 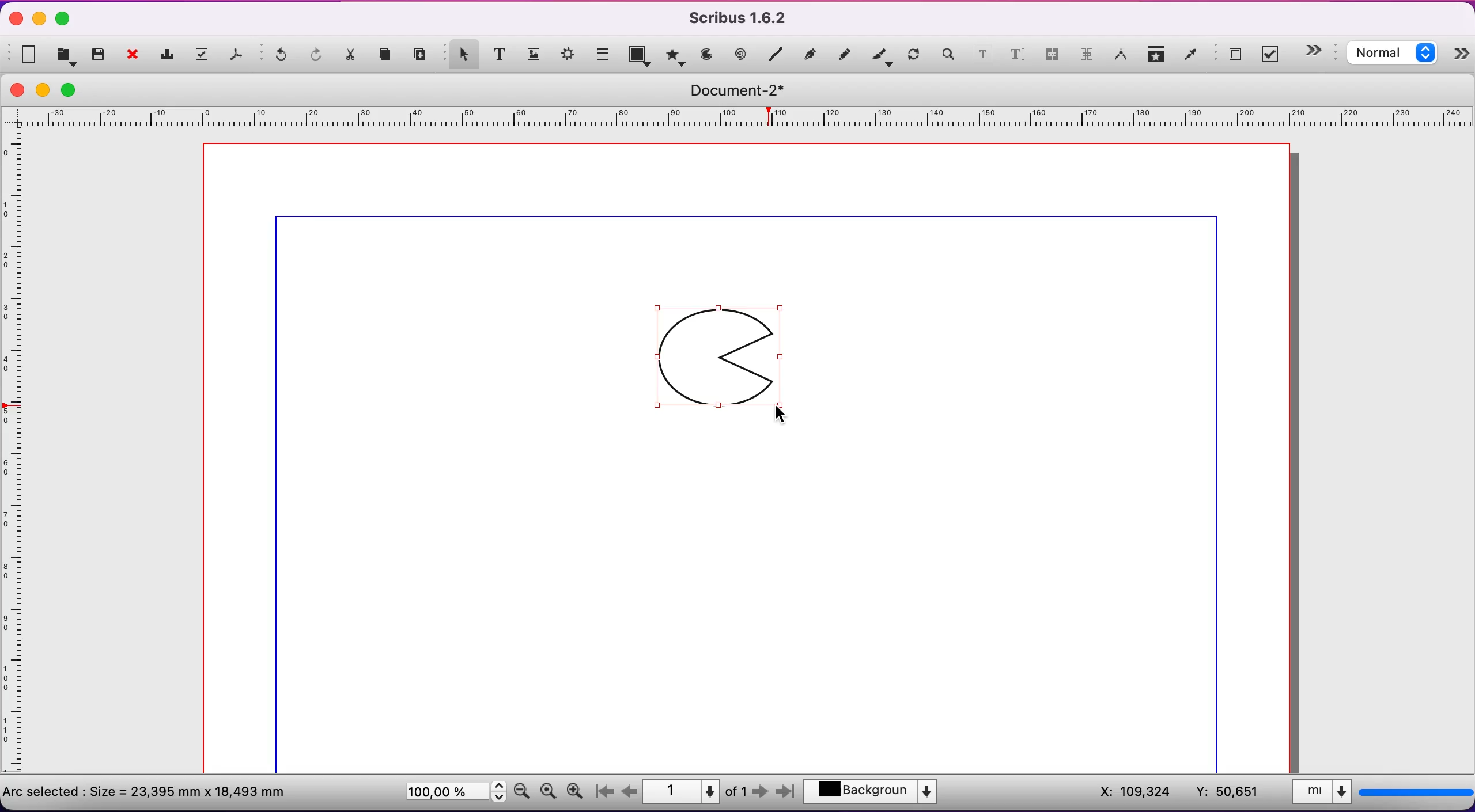 I want to click on cursor, so click(x=779, y=413).